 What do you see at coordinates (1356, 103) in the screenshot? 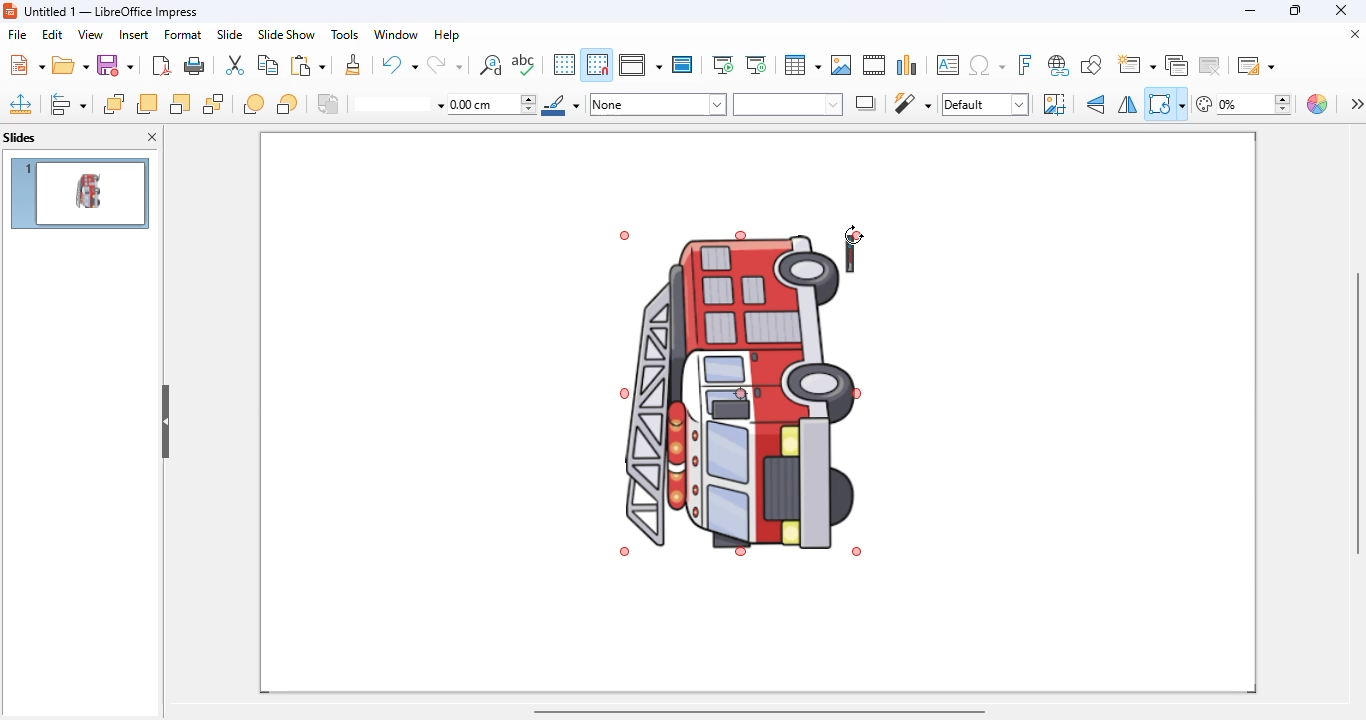
I see `more options` at bounding box center [1356, 103].